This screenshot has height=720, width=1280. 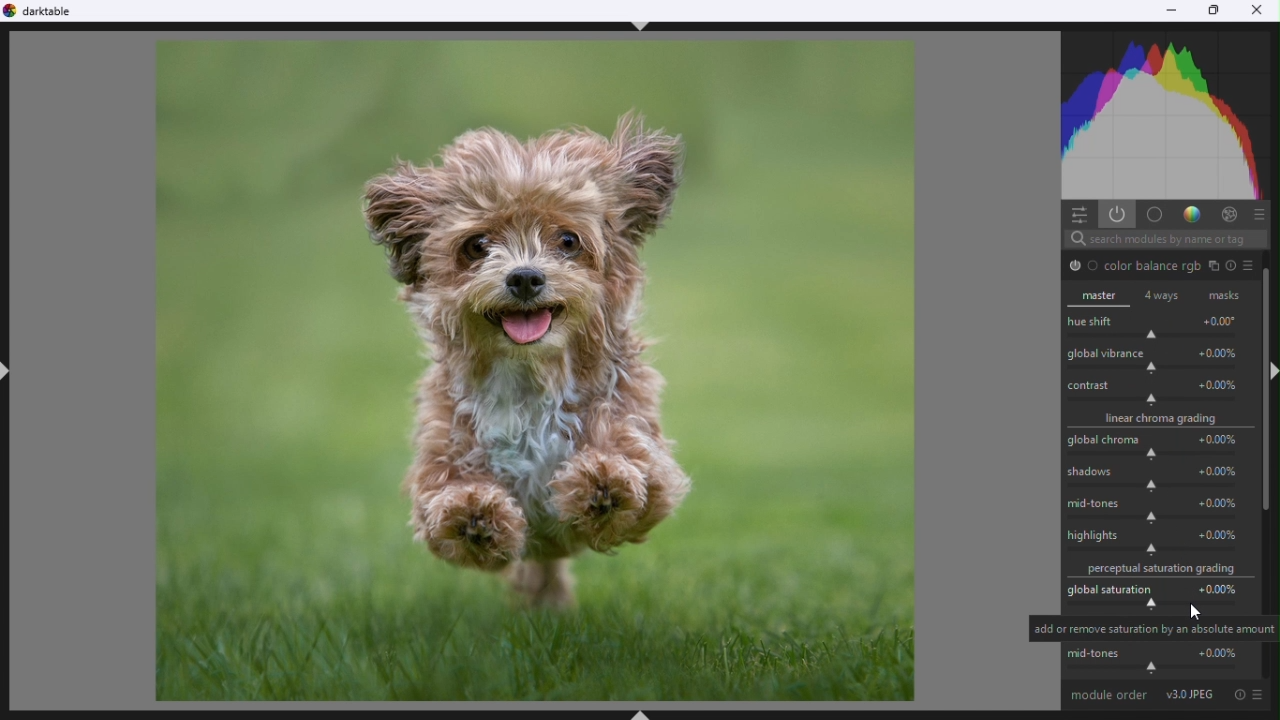 I want to click on presets, so click(x=1261, y=214).